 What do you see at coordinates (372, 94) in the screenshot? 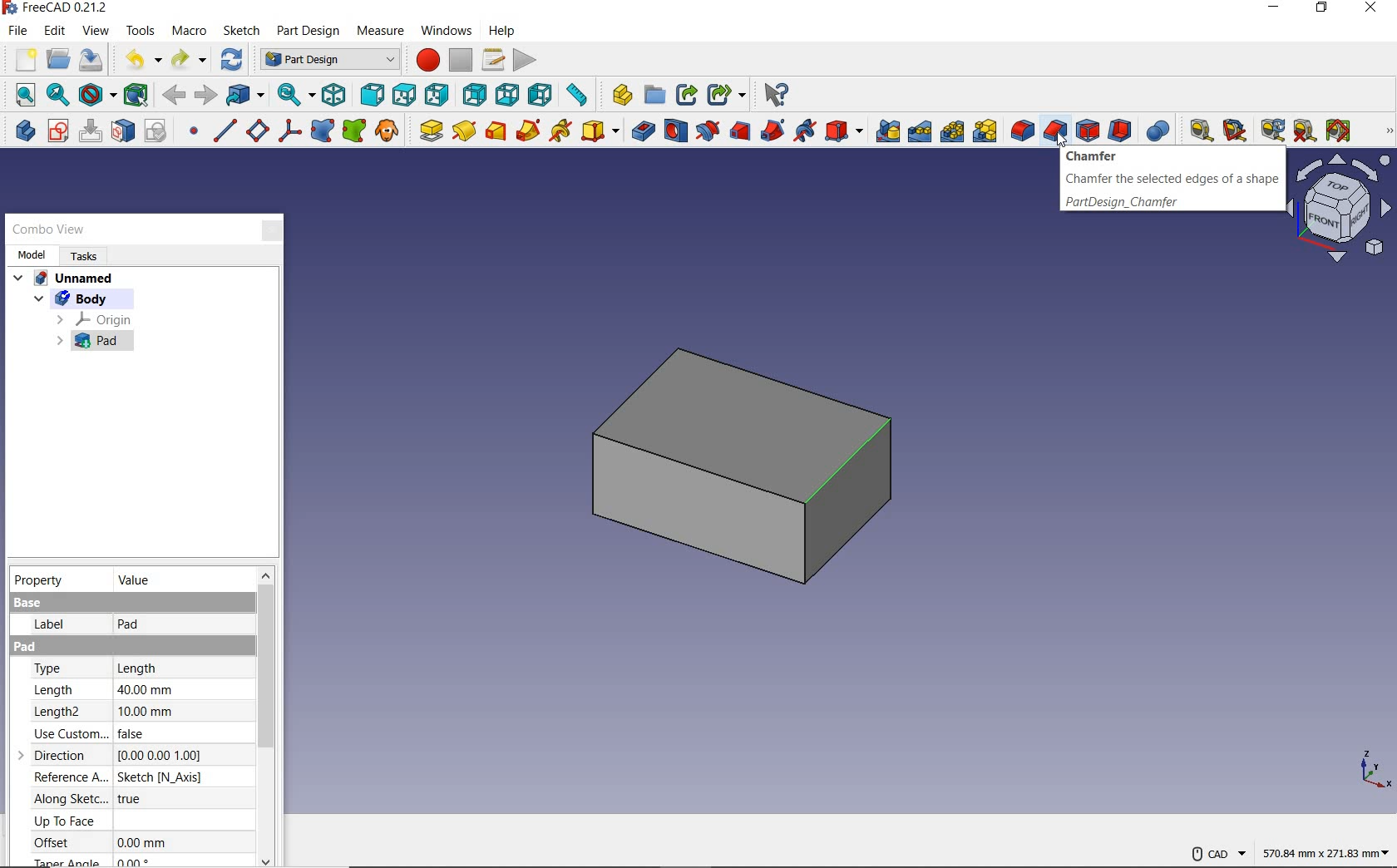
I see `front` at bounding box center [372, 94].